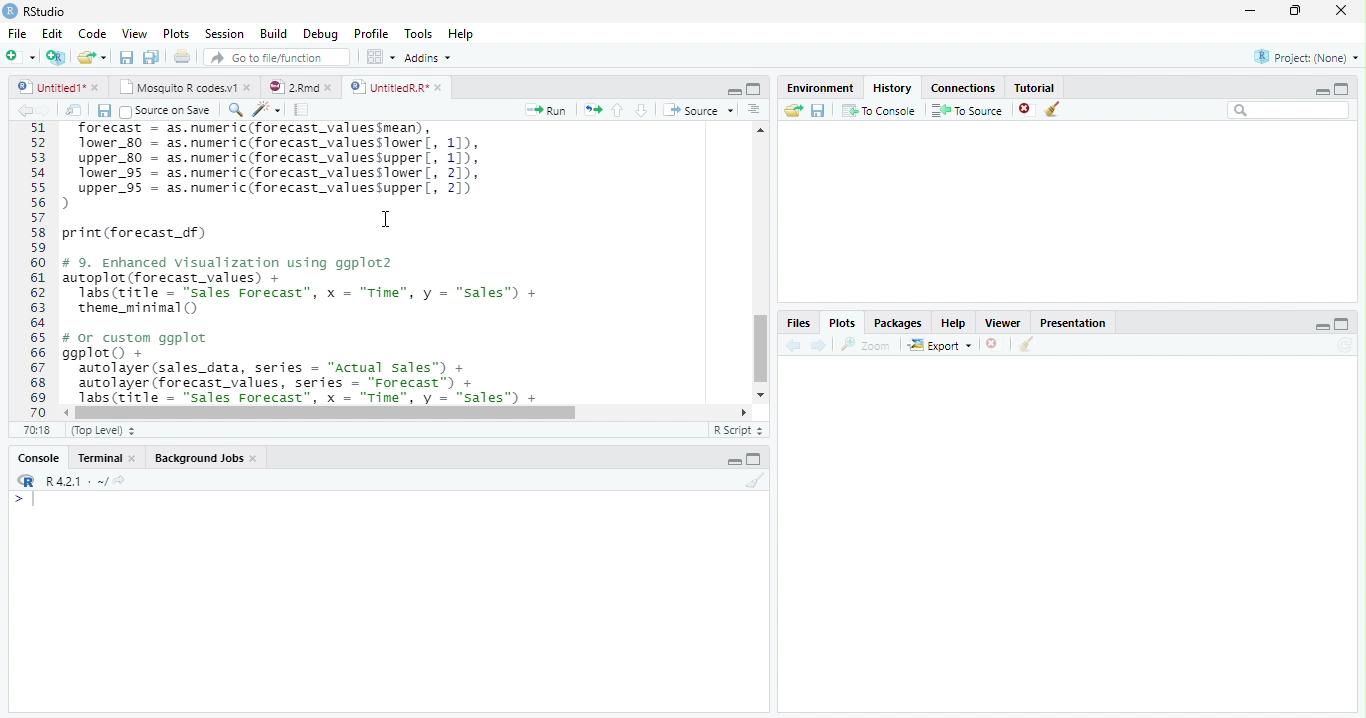 The image size is (1366, 718). I want to click on Connections, so click(963, 88).